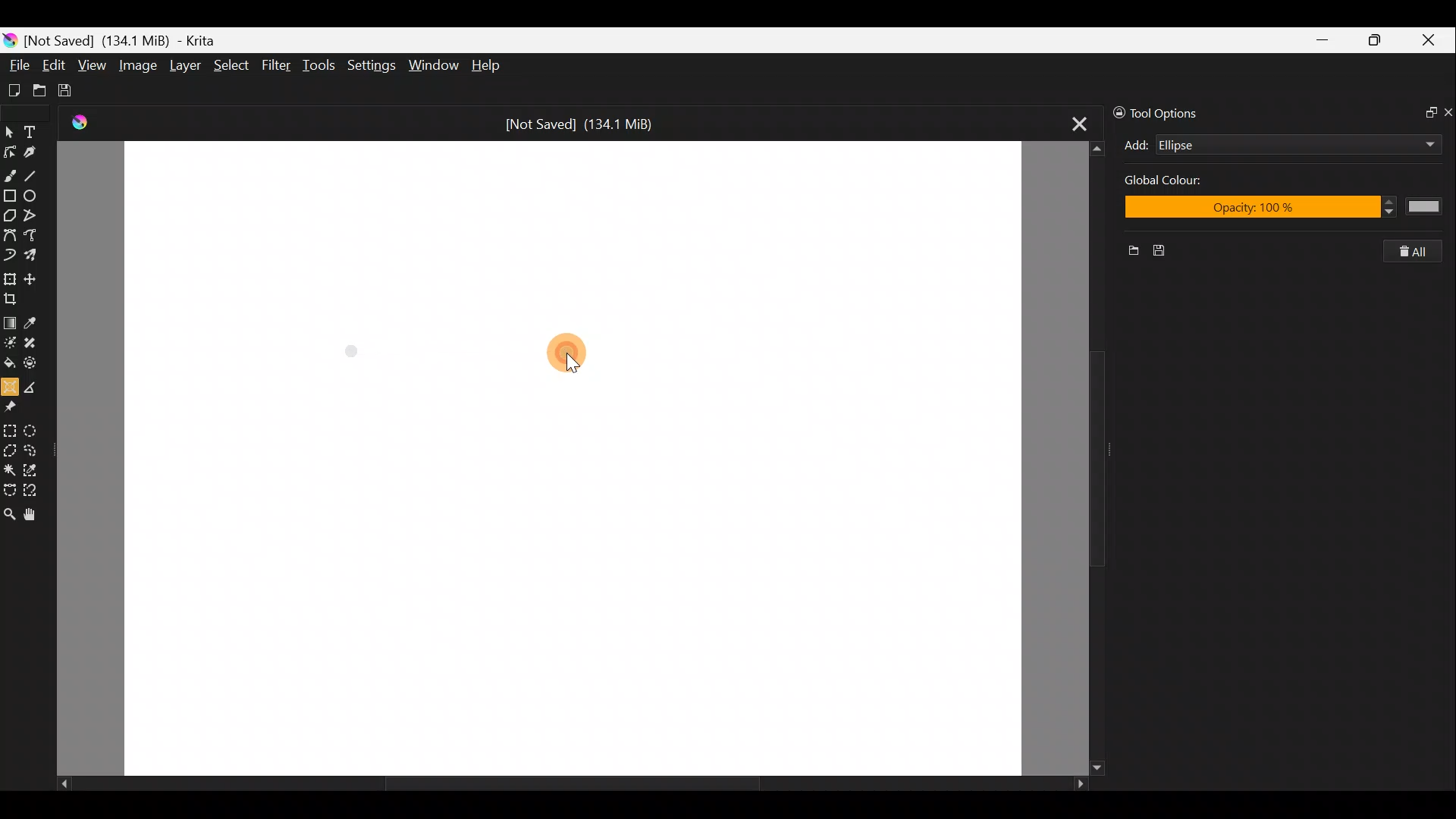 The width and height of the screenshot is (1456, 819). Describe the element at coordinates (77, 123) in the screenshot. I see `Krita Logo` at that location.